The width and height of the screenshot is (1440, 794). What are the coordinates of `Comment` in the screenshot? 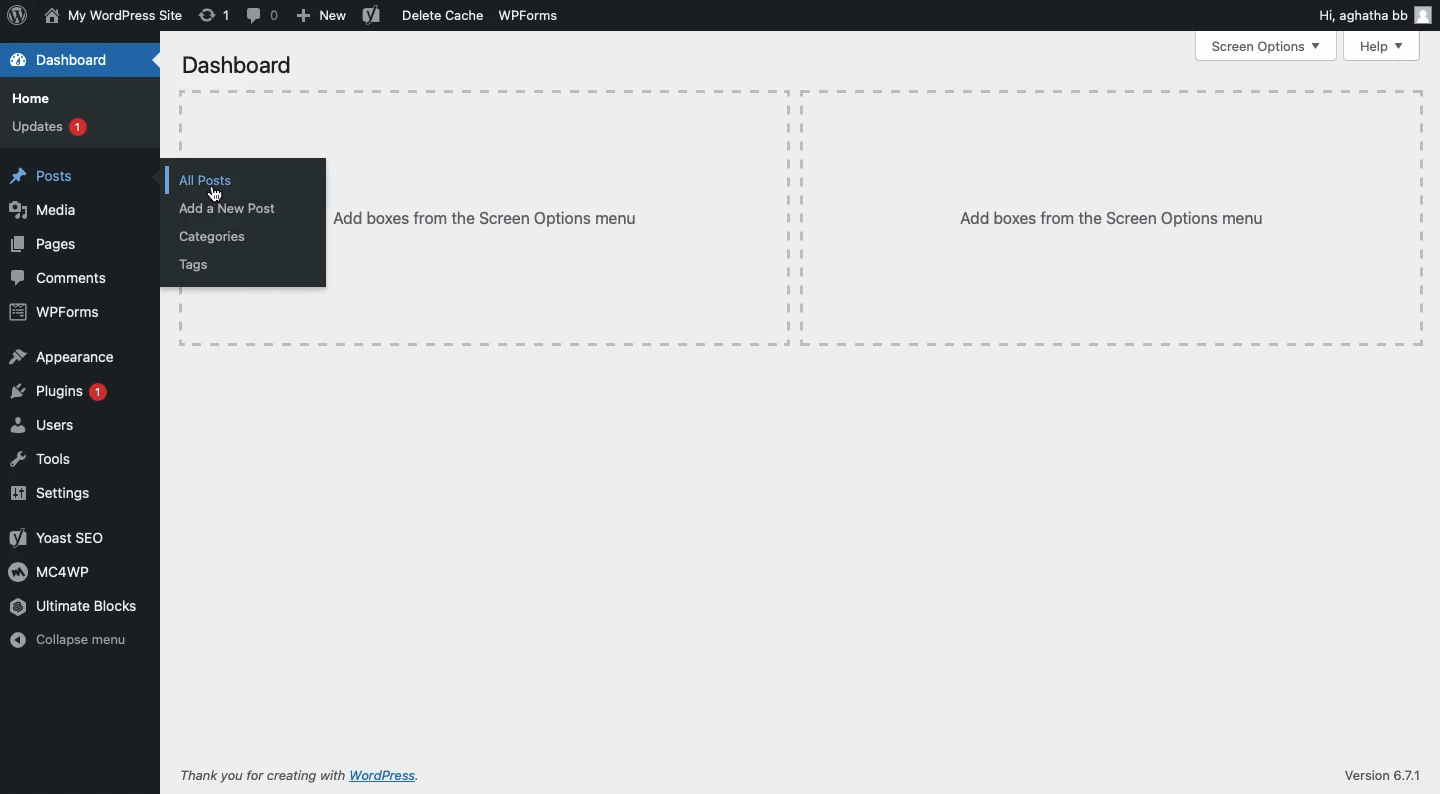 It's located at (265, 15).